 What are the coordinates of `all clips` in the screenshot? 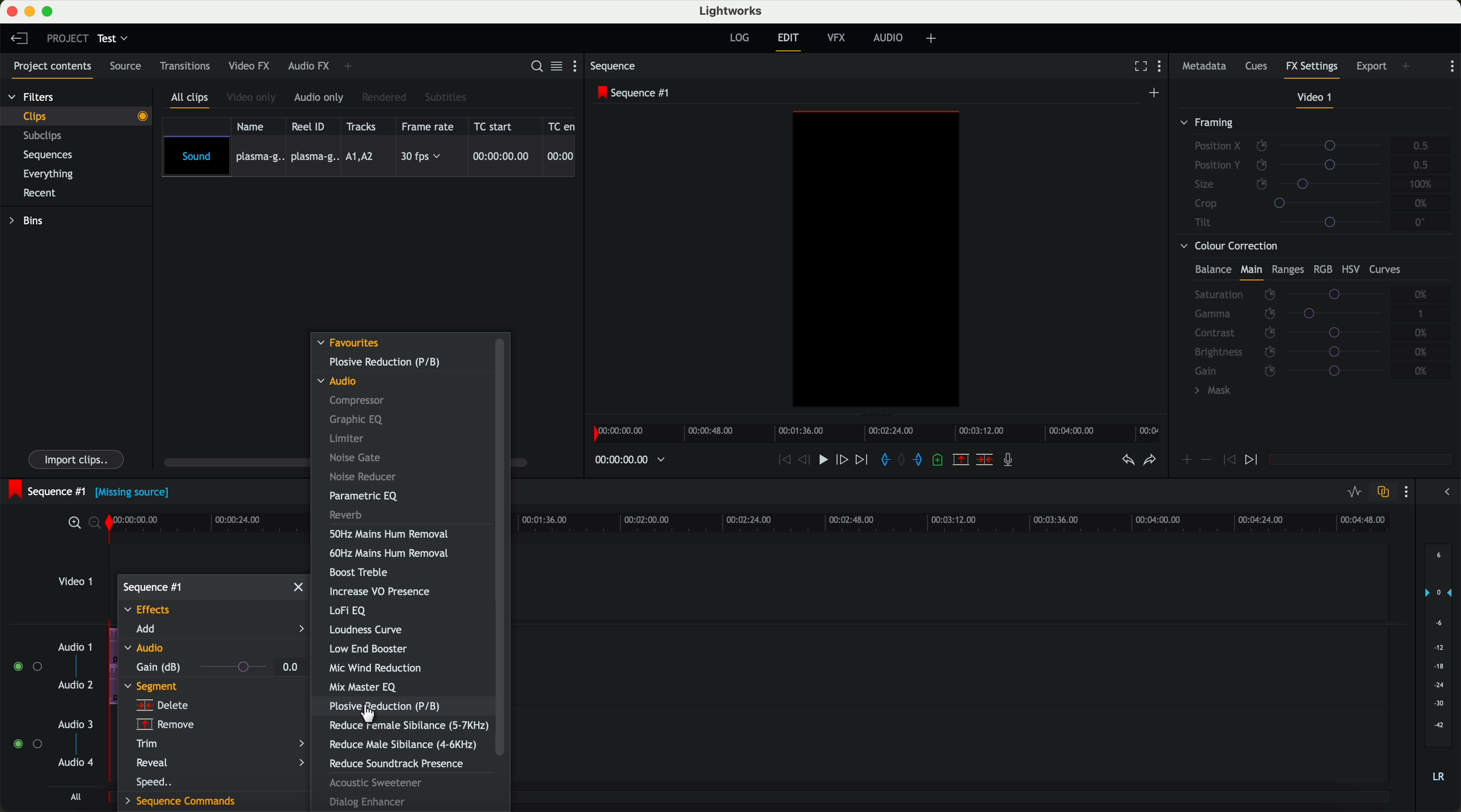 It's located at (192, 99).